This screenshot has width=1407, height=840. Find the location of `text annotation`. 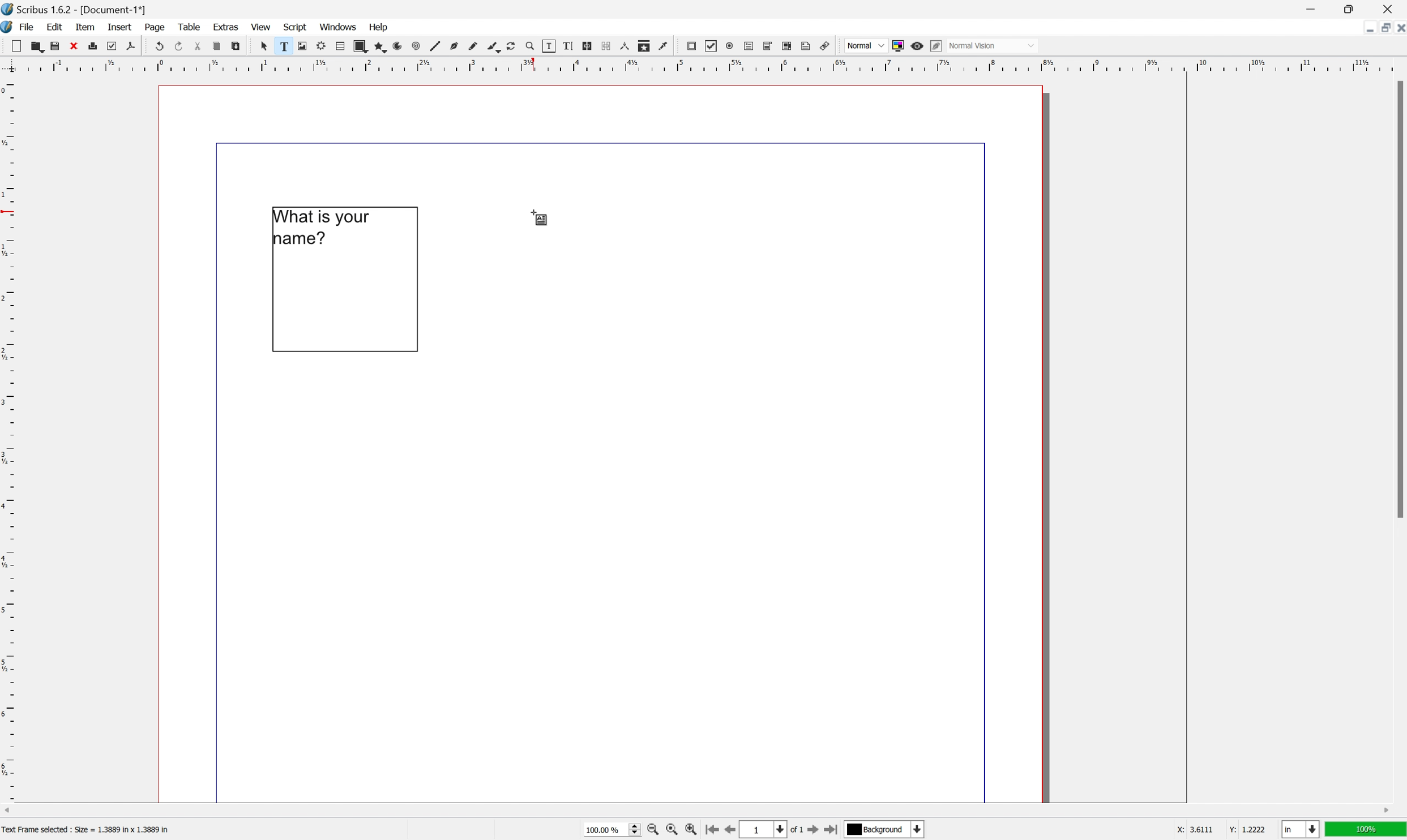

text annotation is located at coordinates (806, 46).